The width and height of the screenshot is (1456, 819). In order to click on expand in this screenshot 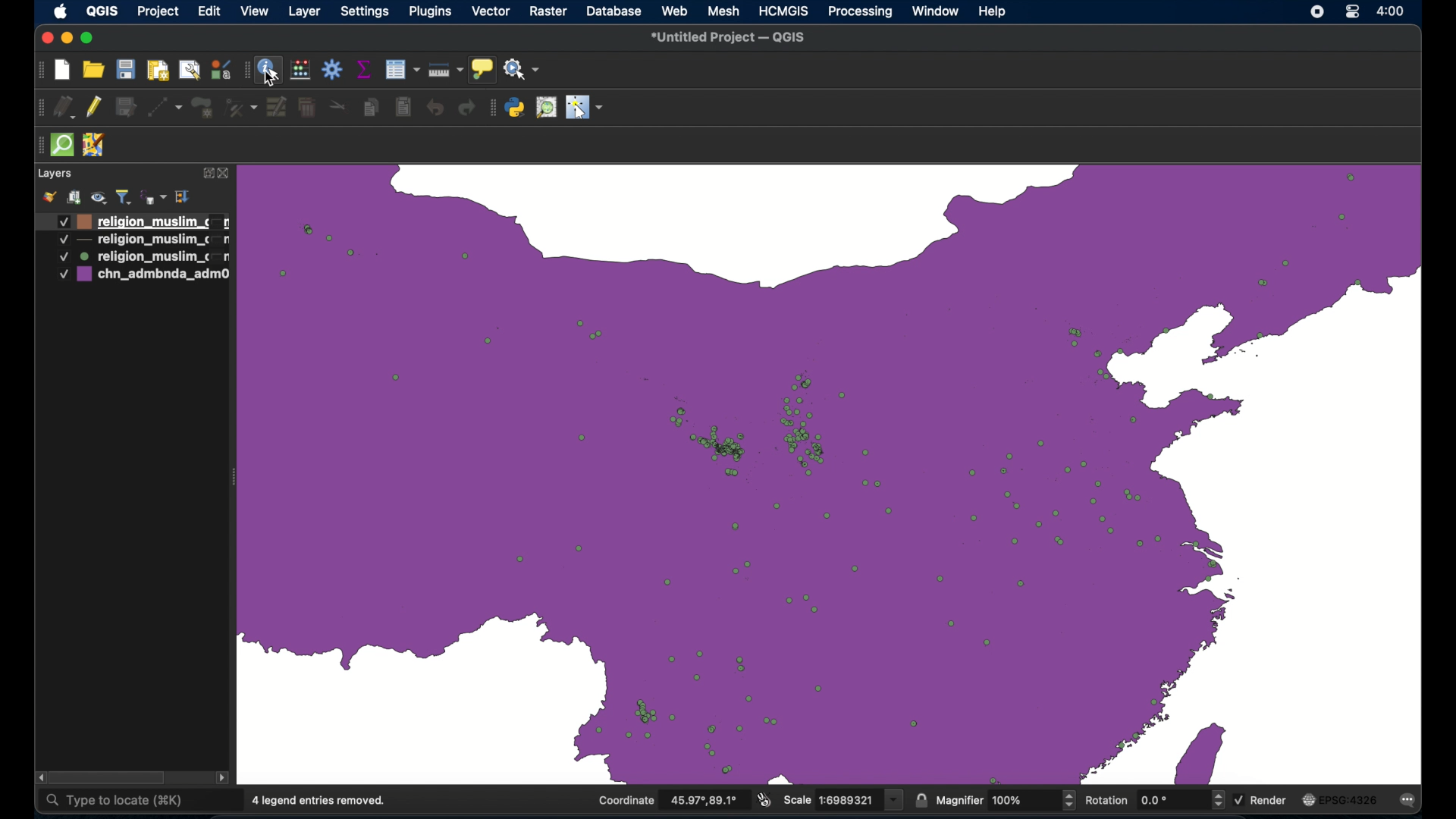, I will do `click(206, 174)`.